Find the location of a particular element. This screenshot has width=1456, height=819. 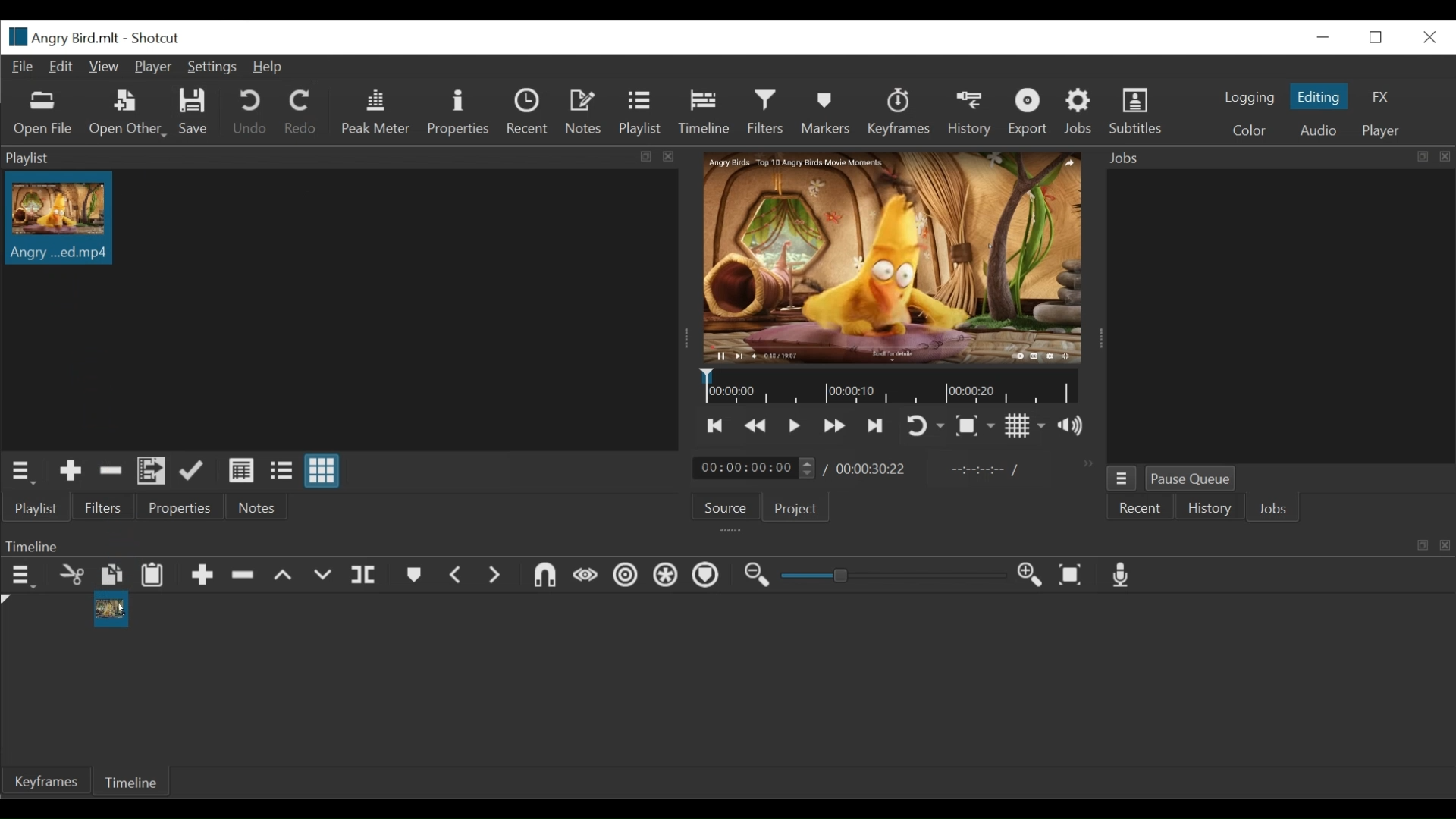

Toggle zoom is located at coordinates (975, 427).